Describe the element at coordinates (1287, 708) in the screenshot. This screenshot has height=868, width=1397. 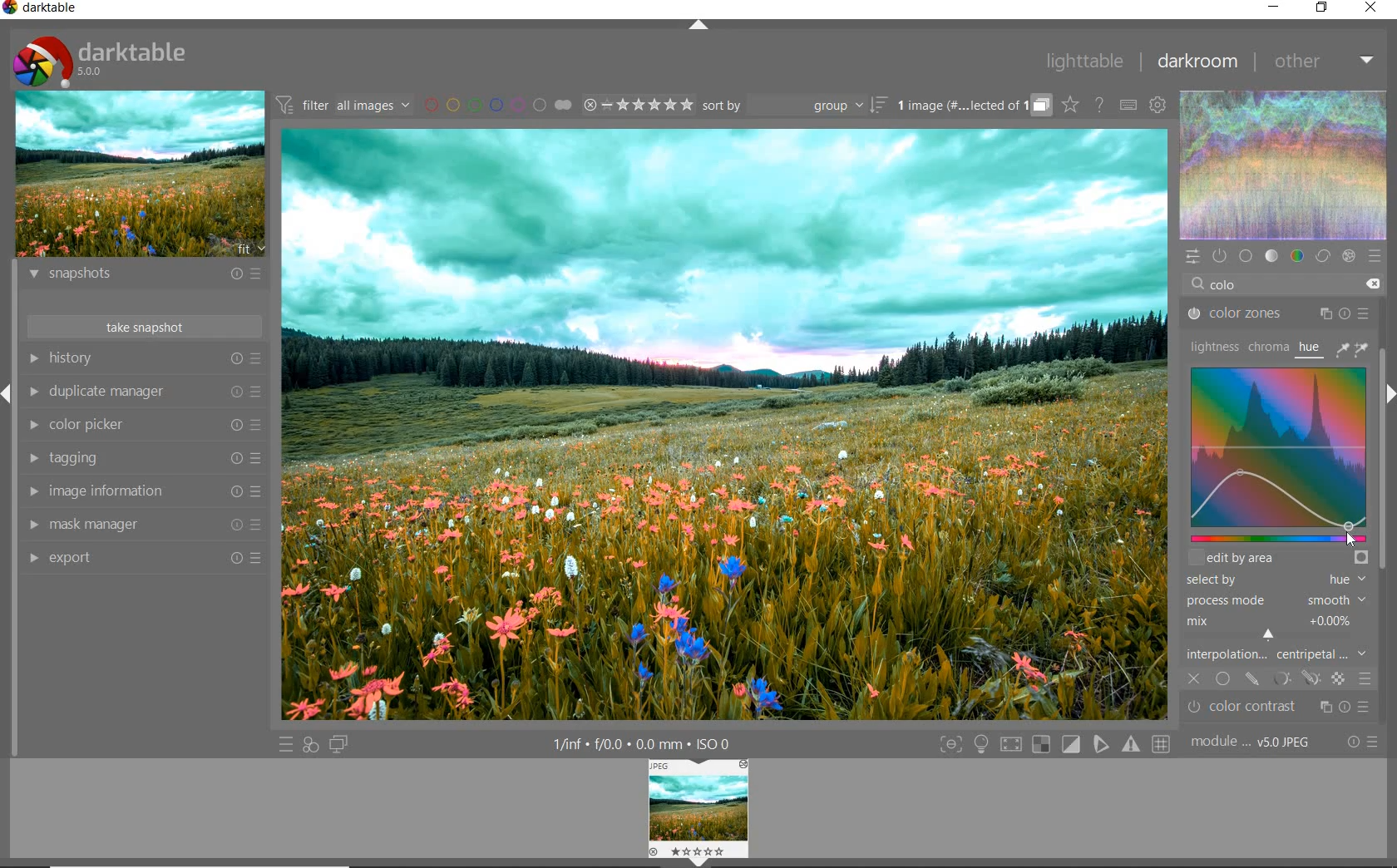
I see `Color contrast` at that location.